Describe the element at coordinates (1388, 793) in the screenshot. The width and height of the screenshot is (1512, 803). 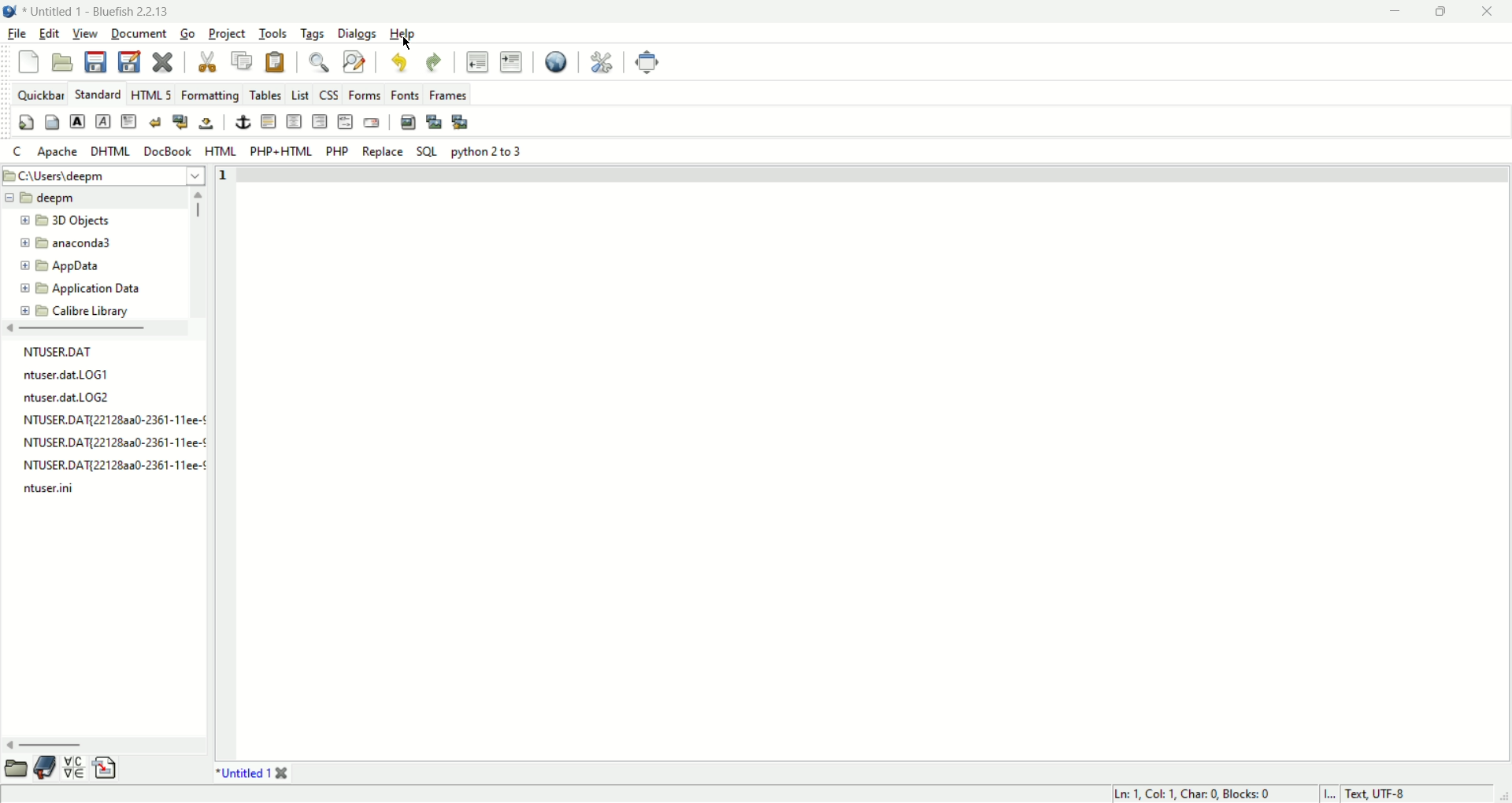
I see `character encoding` at that location.